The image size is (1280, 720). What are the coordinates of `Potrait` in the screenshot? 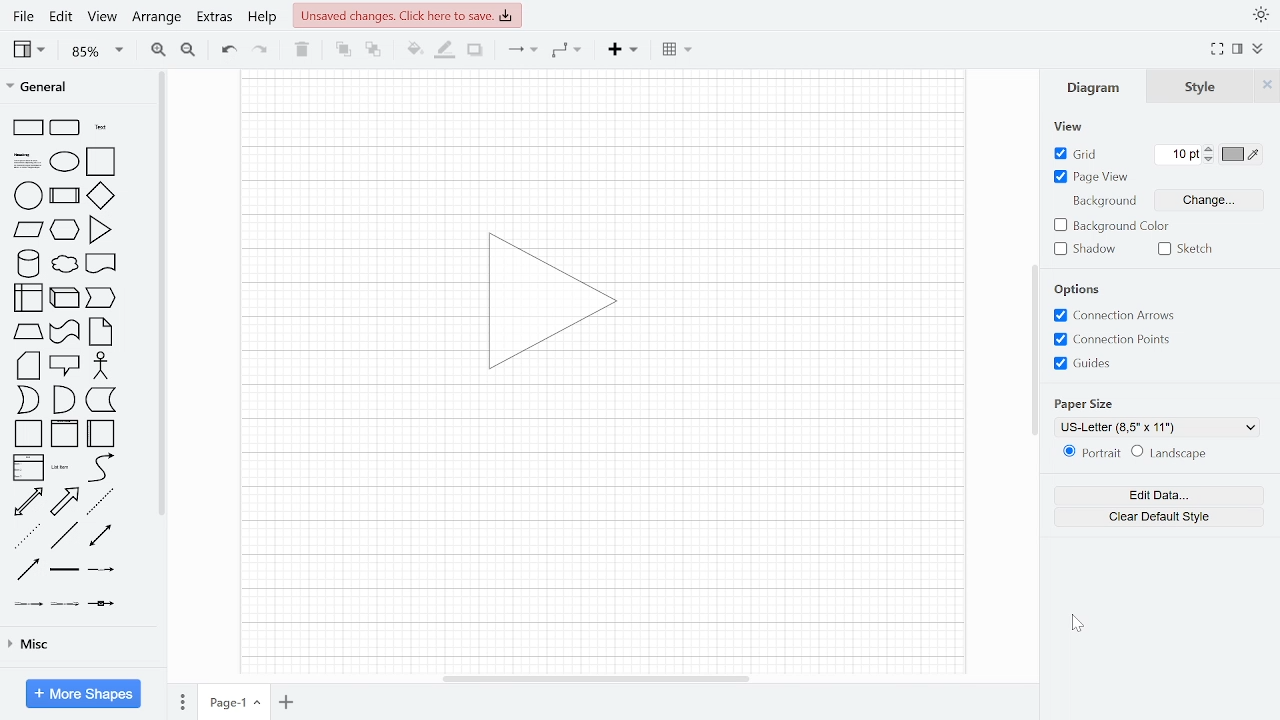 It's located at (1092, 452).